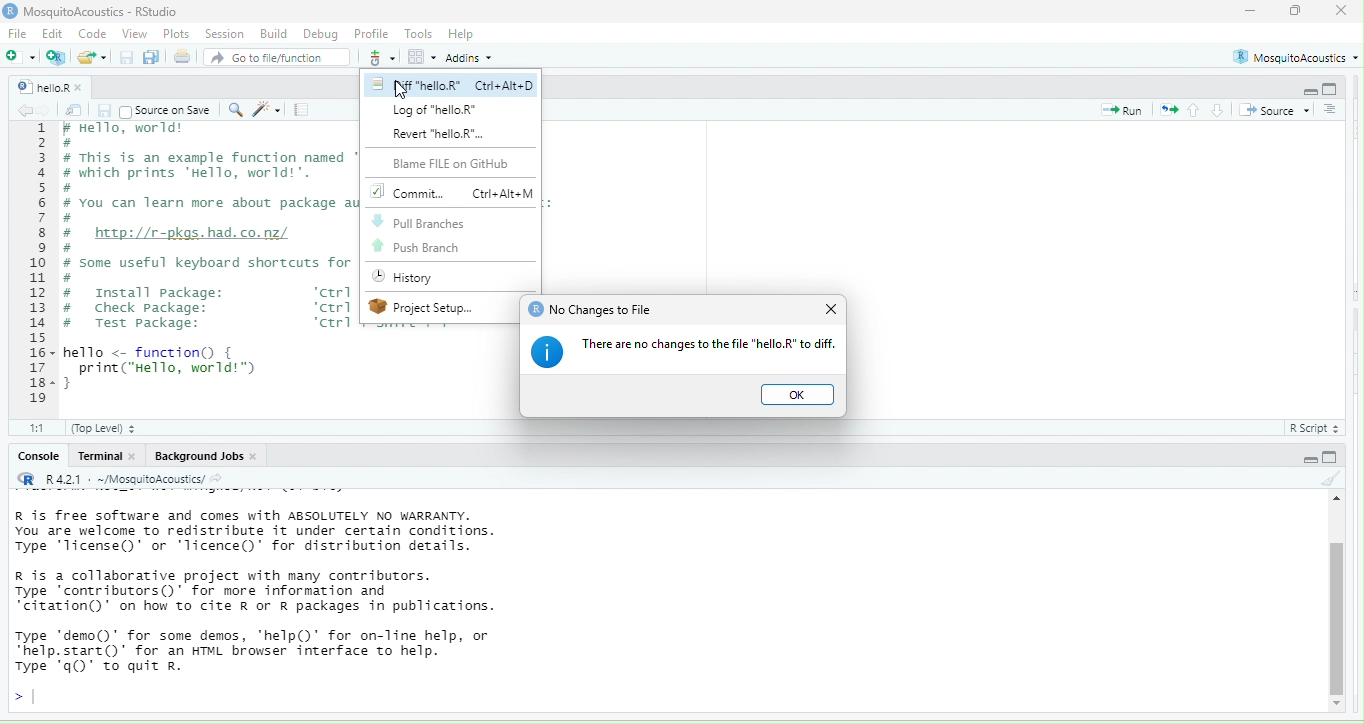  Describe the element at coordinates (1308, 90) in the screenshot. I see `hide r script` at that location.